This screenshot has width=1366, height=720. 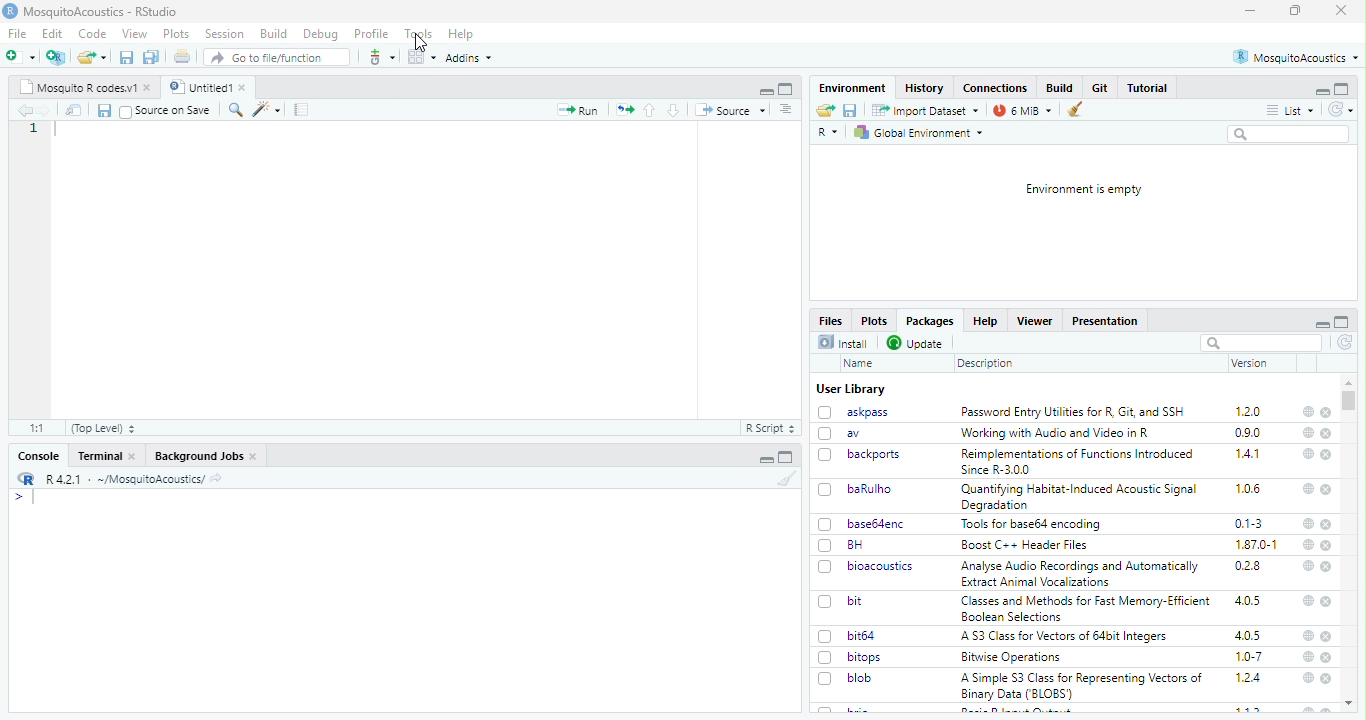 I want to click on bitops, so click(x=866, y=657).